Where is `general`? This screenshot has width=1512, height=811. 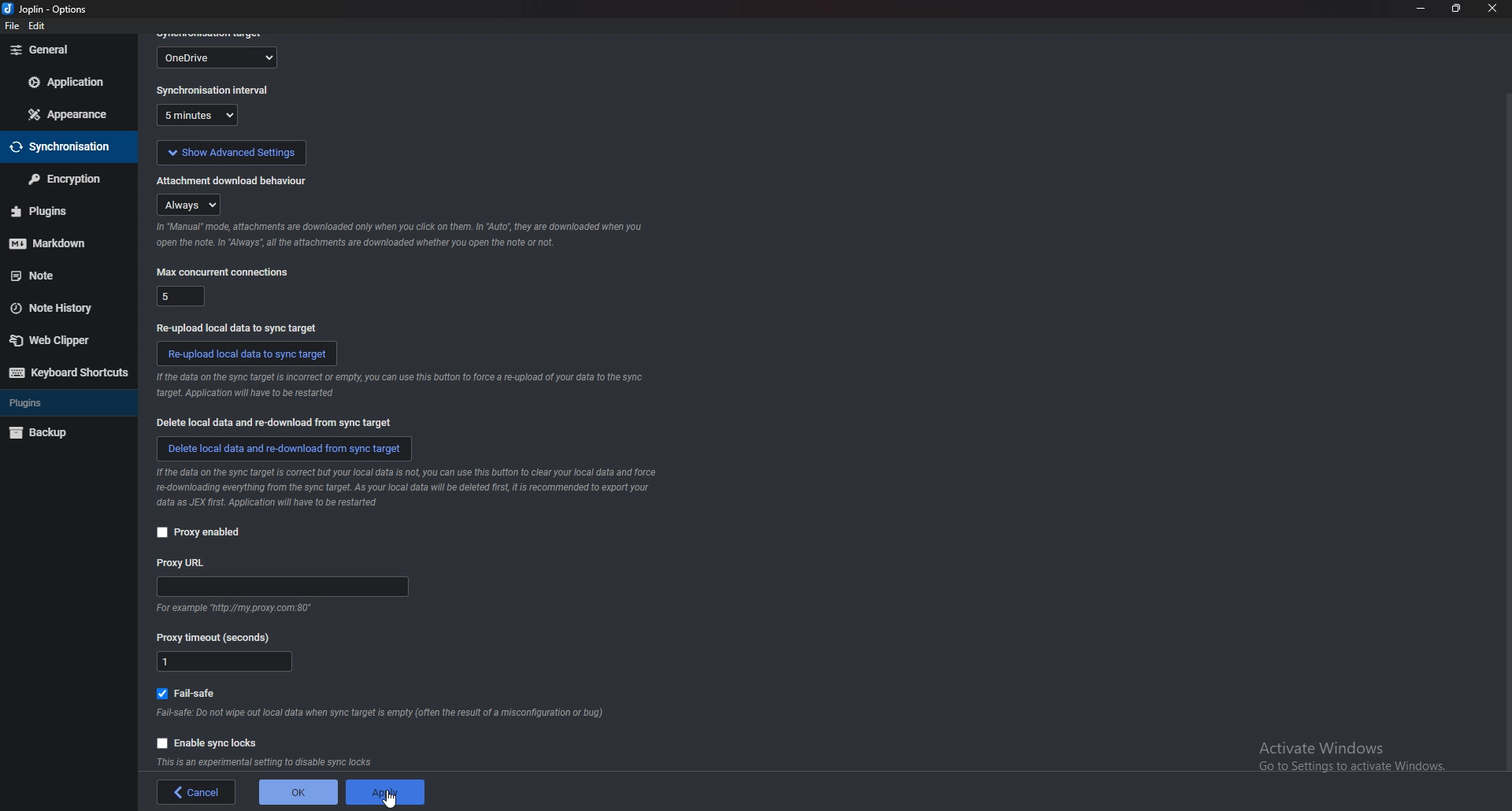
general is located at coordinates (69, 50).